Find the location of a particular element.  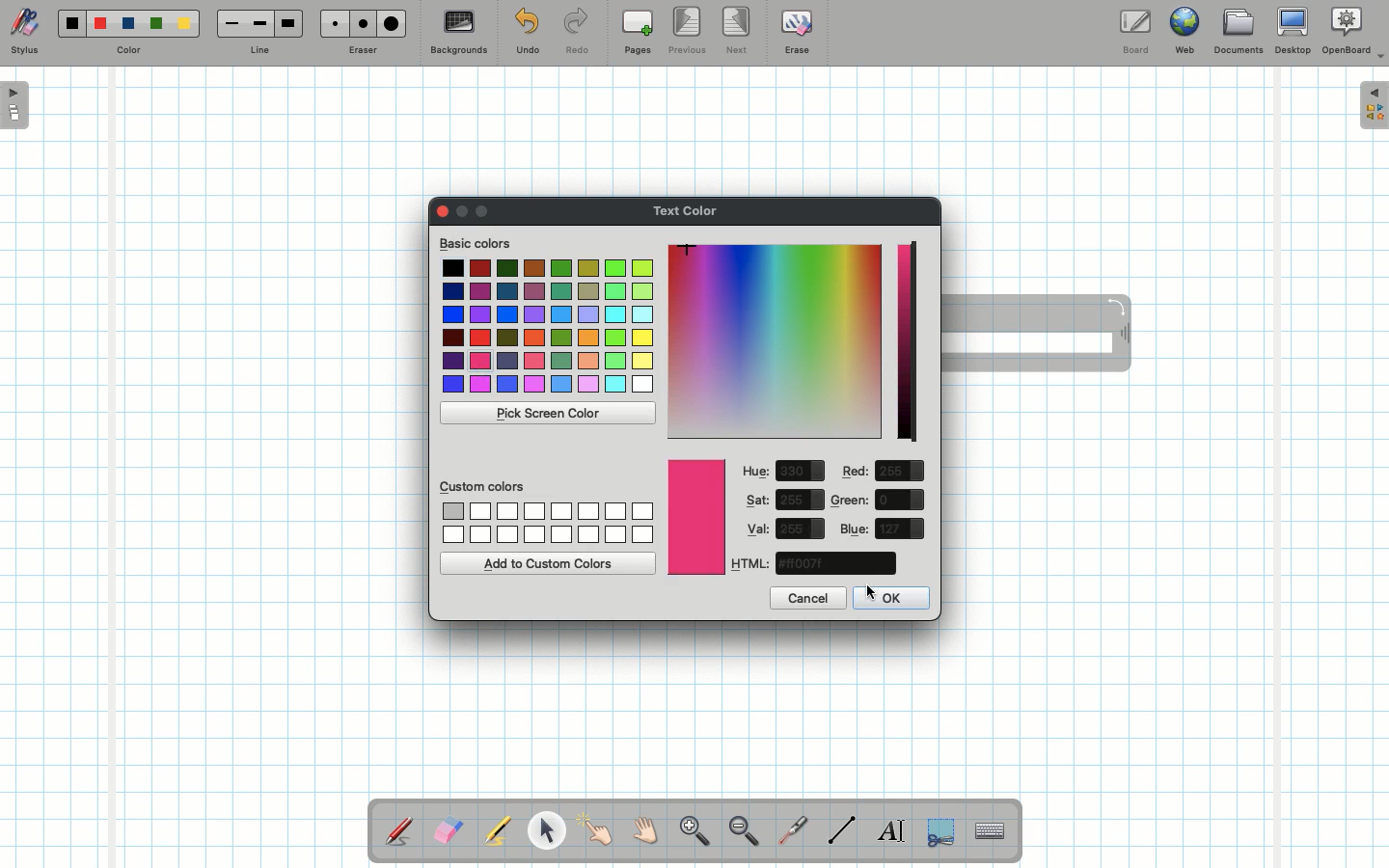

Black is located at coordinates (70, 23).